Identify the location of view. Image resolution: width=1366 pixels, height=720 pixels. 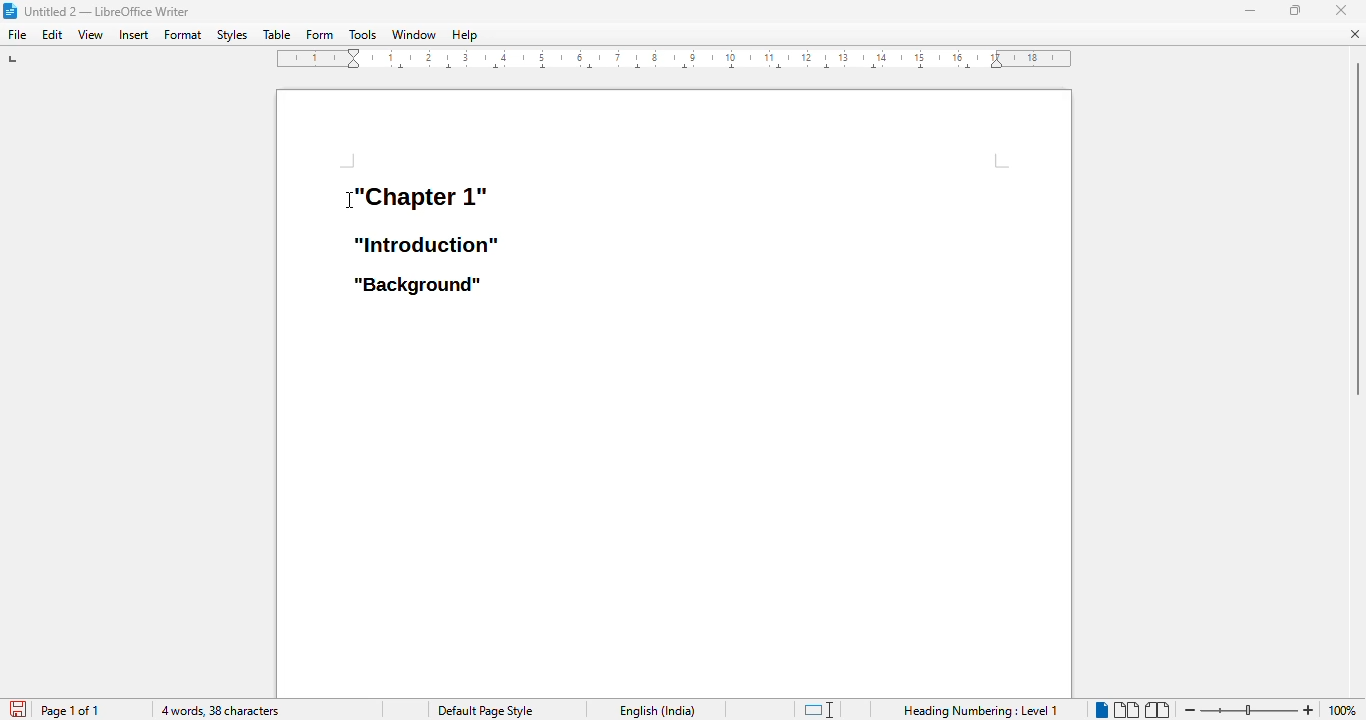
(90, 35).